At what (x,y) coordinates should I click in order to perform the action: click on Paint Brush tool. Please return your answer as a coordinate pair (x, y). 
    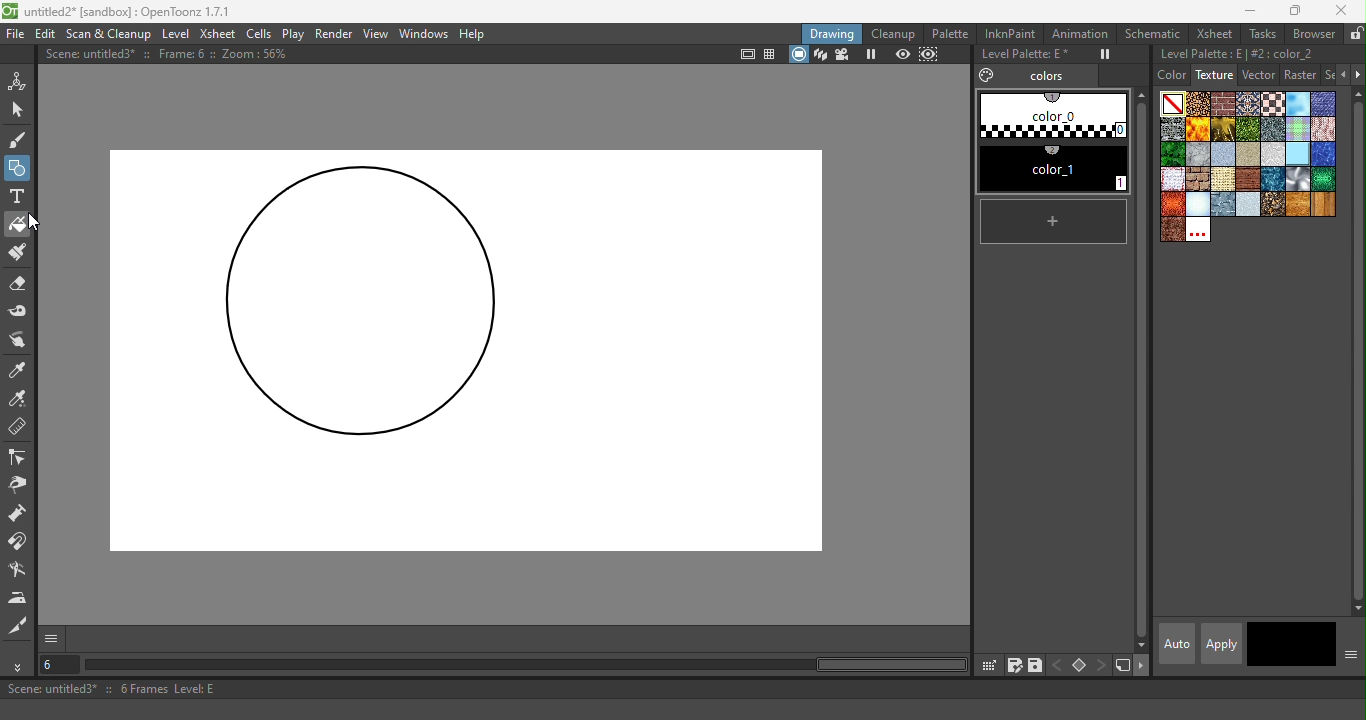
    Looking at the image, I should click on (20, 254).